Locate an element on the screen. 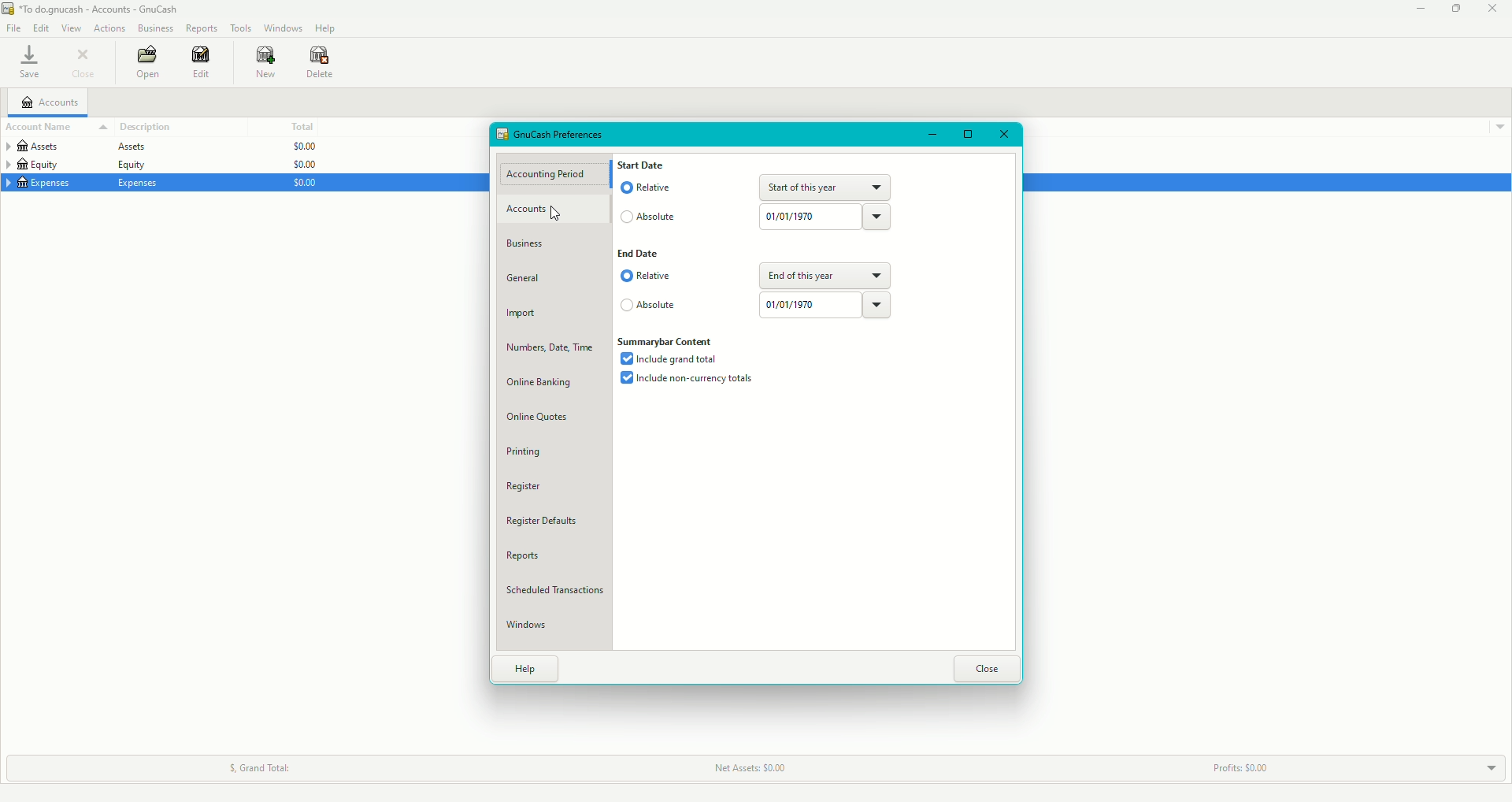  Accounts is located at coordinates (50, 102).